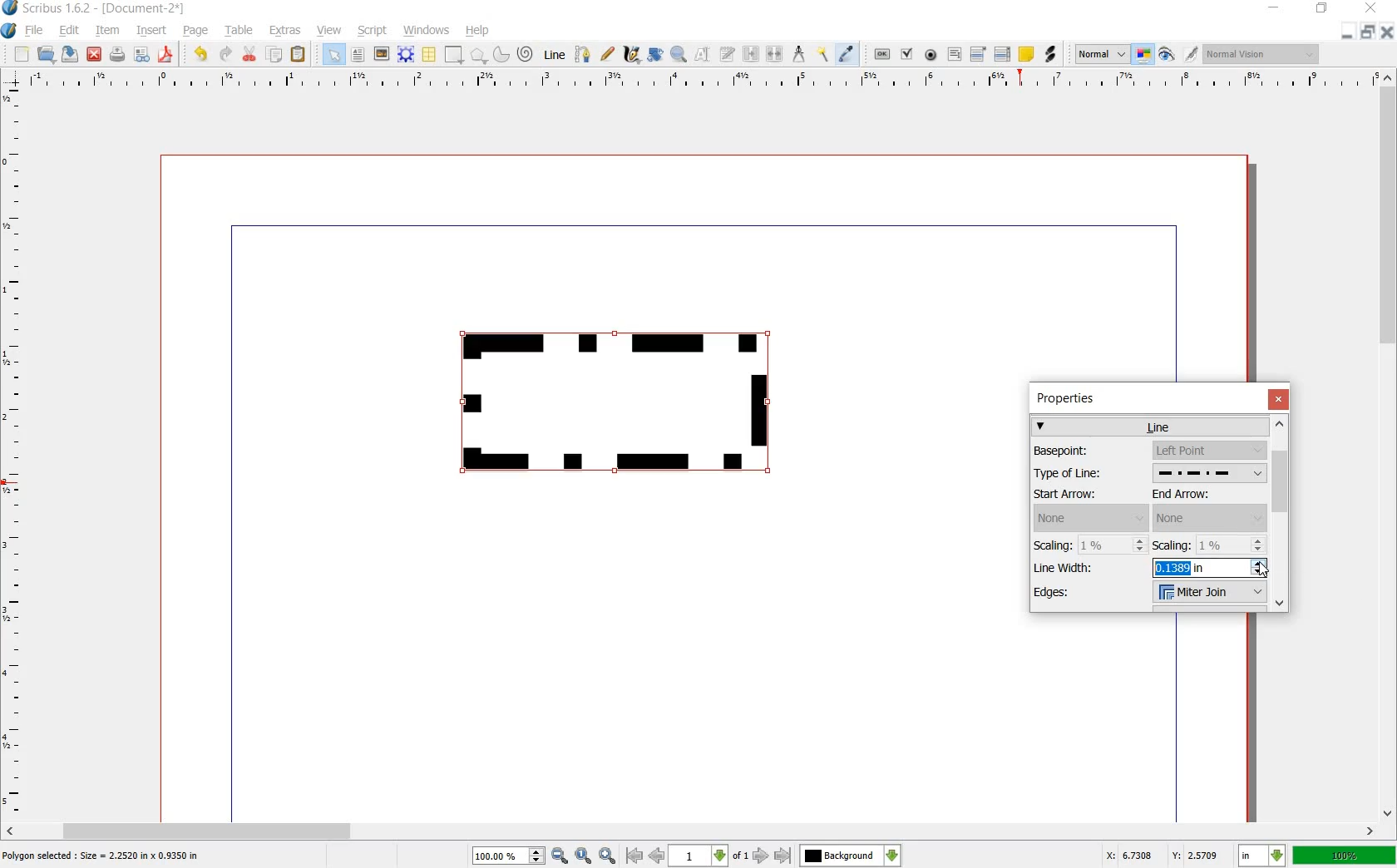 This screenshot has width=1397, height=868. I want to click on LINK TEXT FRAMES, so click(751, 55).